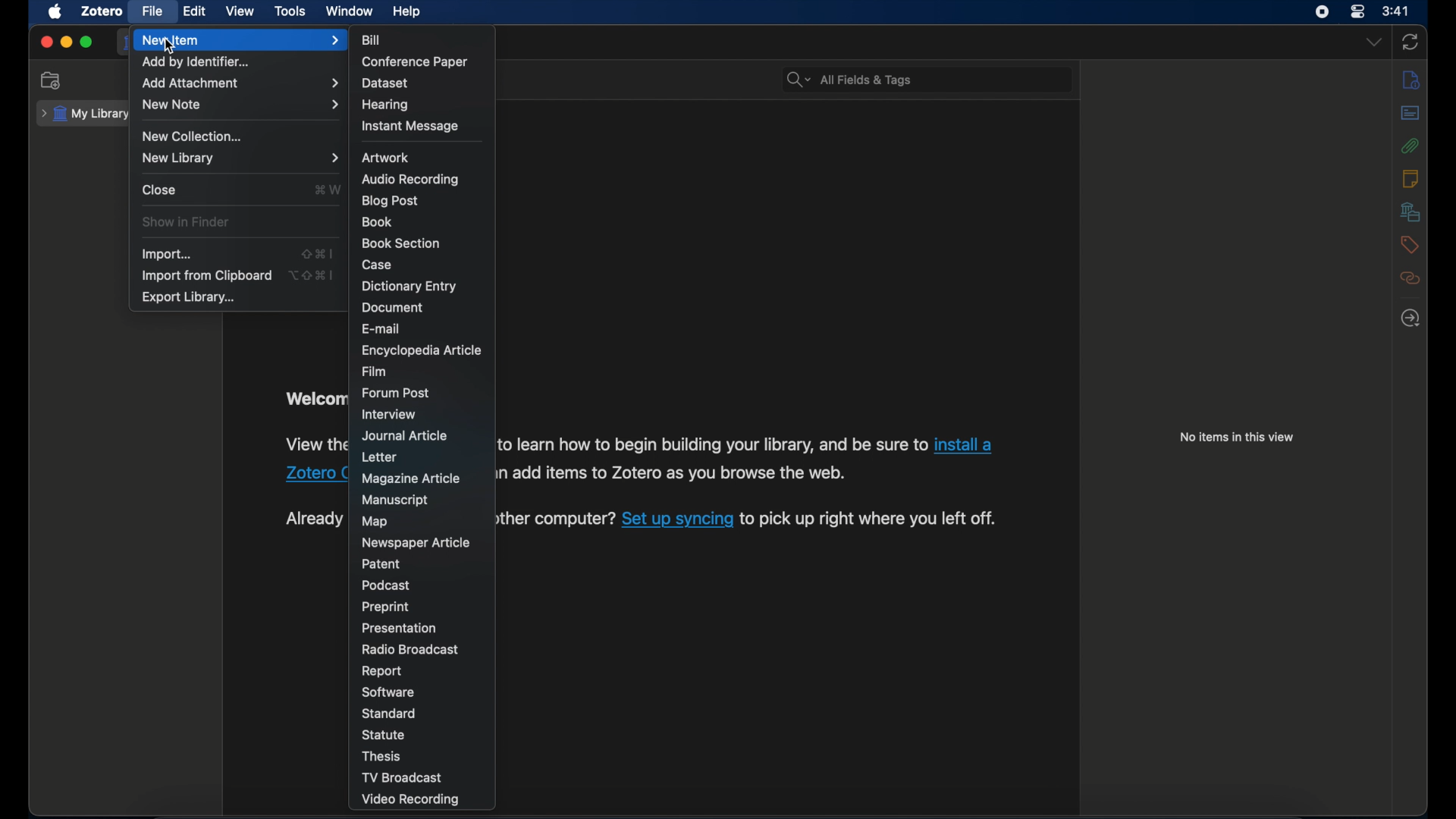 The height and width of the screenshot is (819, 1456). What do you see at coordinates (381, 672) in the screenshot?
I see `report` at bounding box center [381, 672].